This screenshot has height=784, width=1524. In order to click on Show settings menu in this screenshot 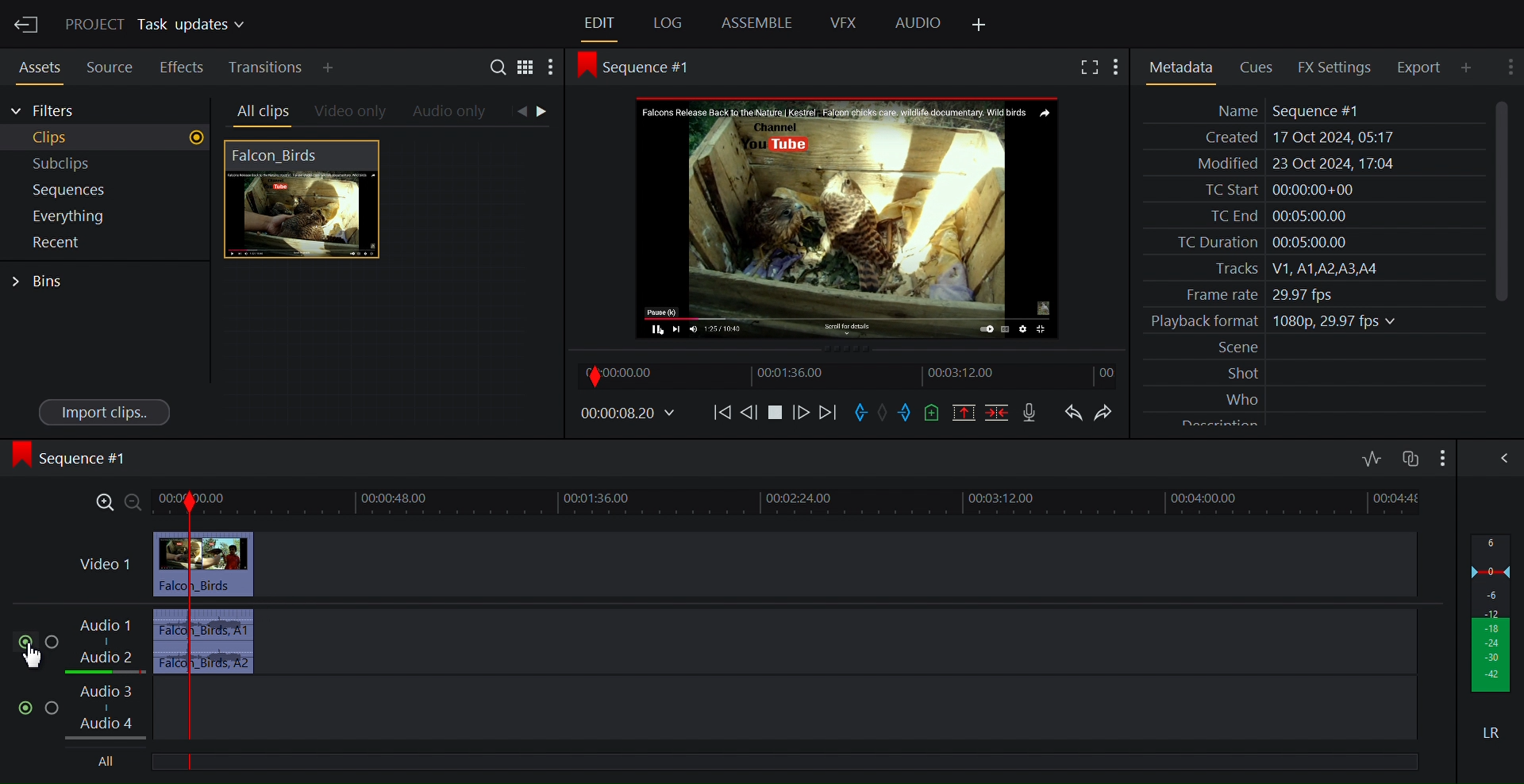, I will do `click(550, 69)`.